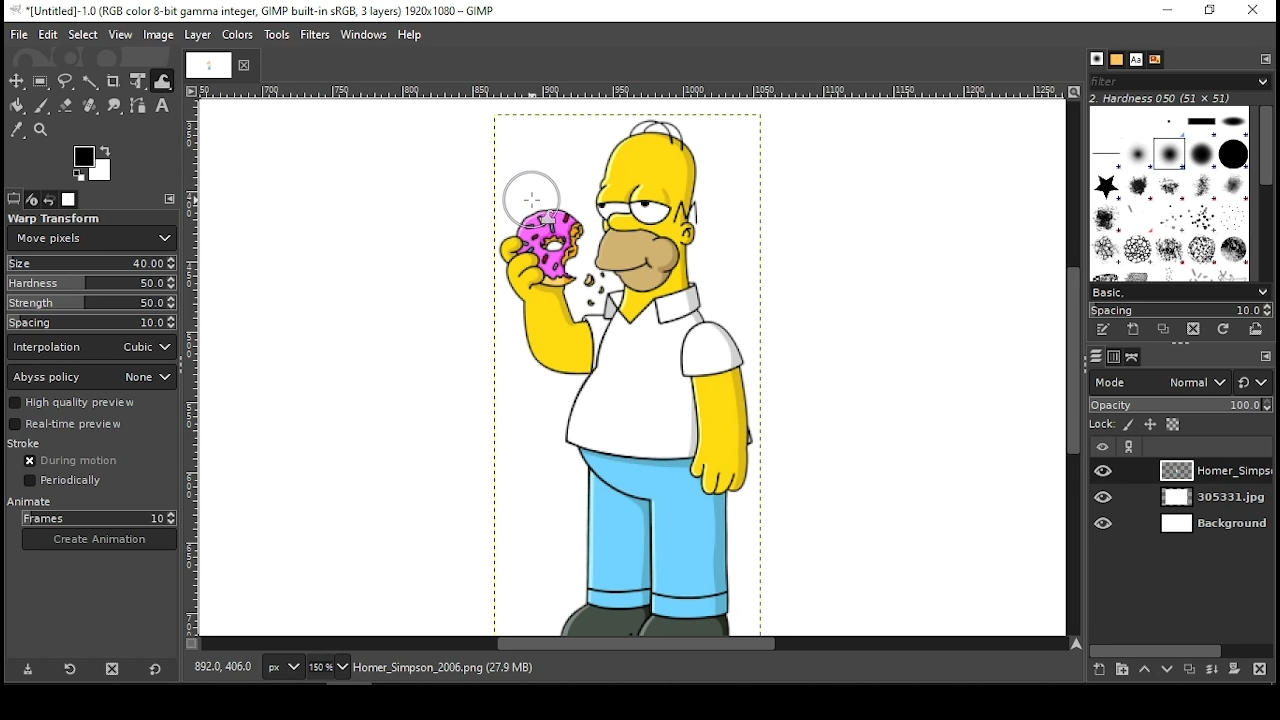 The width and height of the screenshot is (1280, 720). Describe the element at coordinates (250, 63) in the screenshot. I see `close` at that location.